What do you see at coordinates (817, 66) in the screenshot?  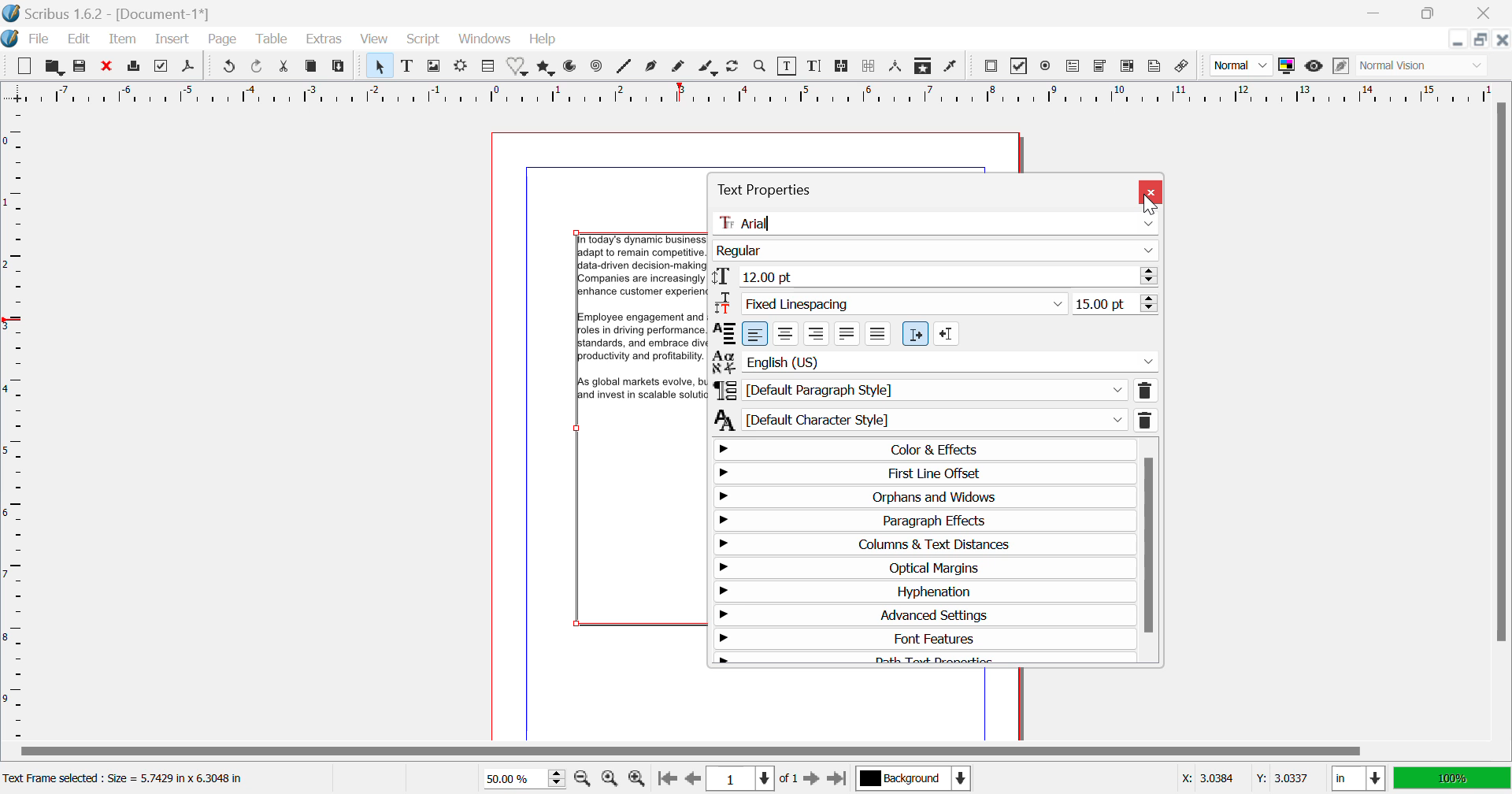 I see `Edit Text with Story Editor` at bounding box center [817, 66].